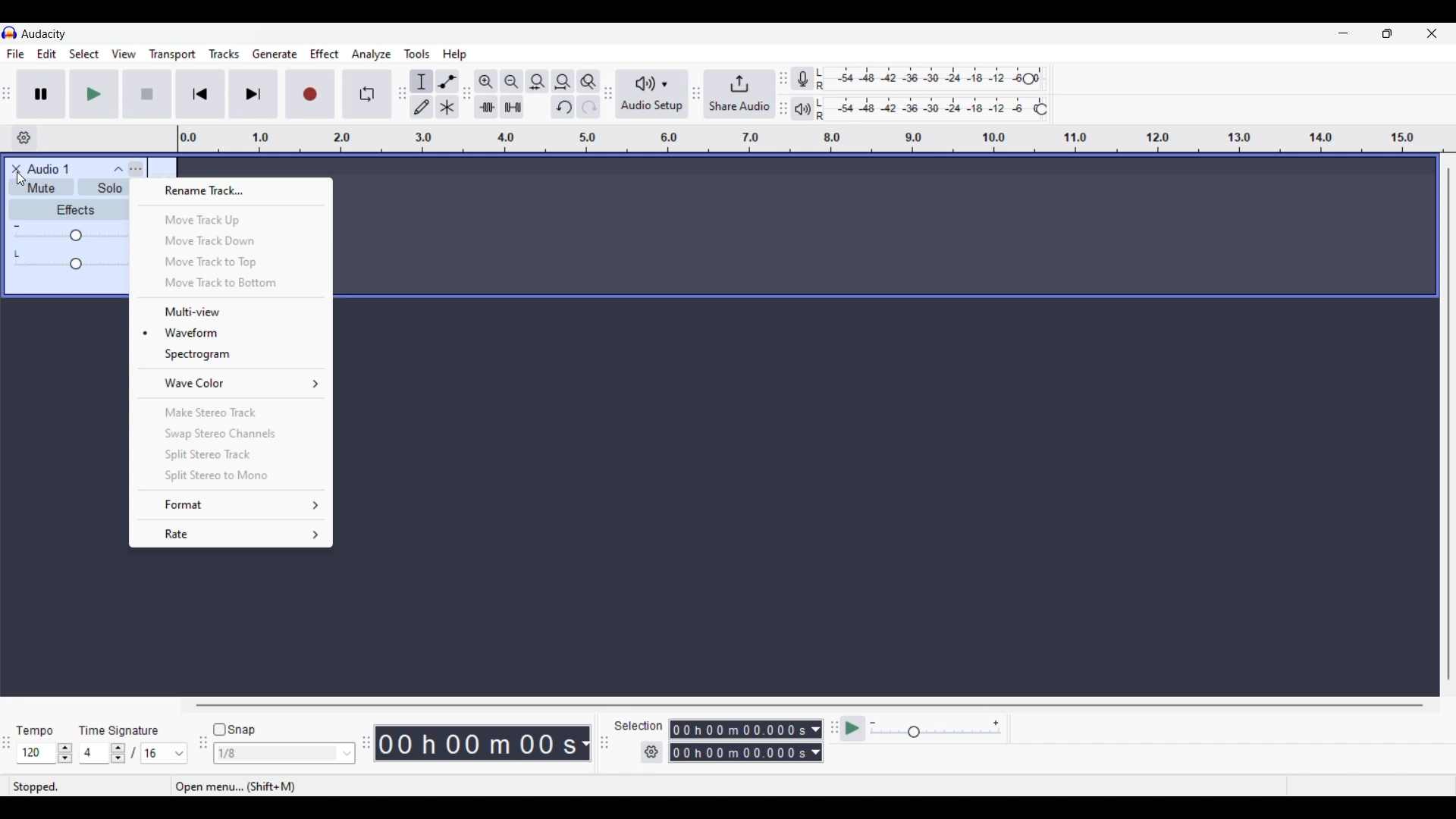 Image resolution: width=1456 pixels, height=819 pixels. Describe the element at coordinates (476, 743) in the screenshot. I see `Shows recorded duration` at that location.